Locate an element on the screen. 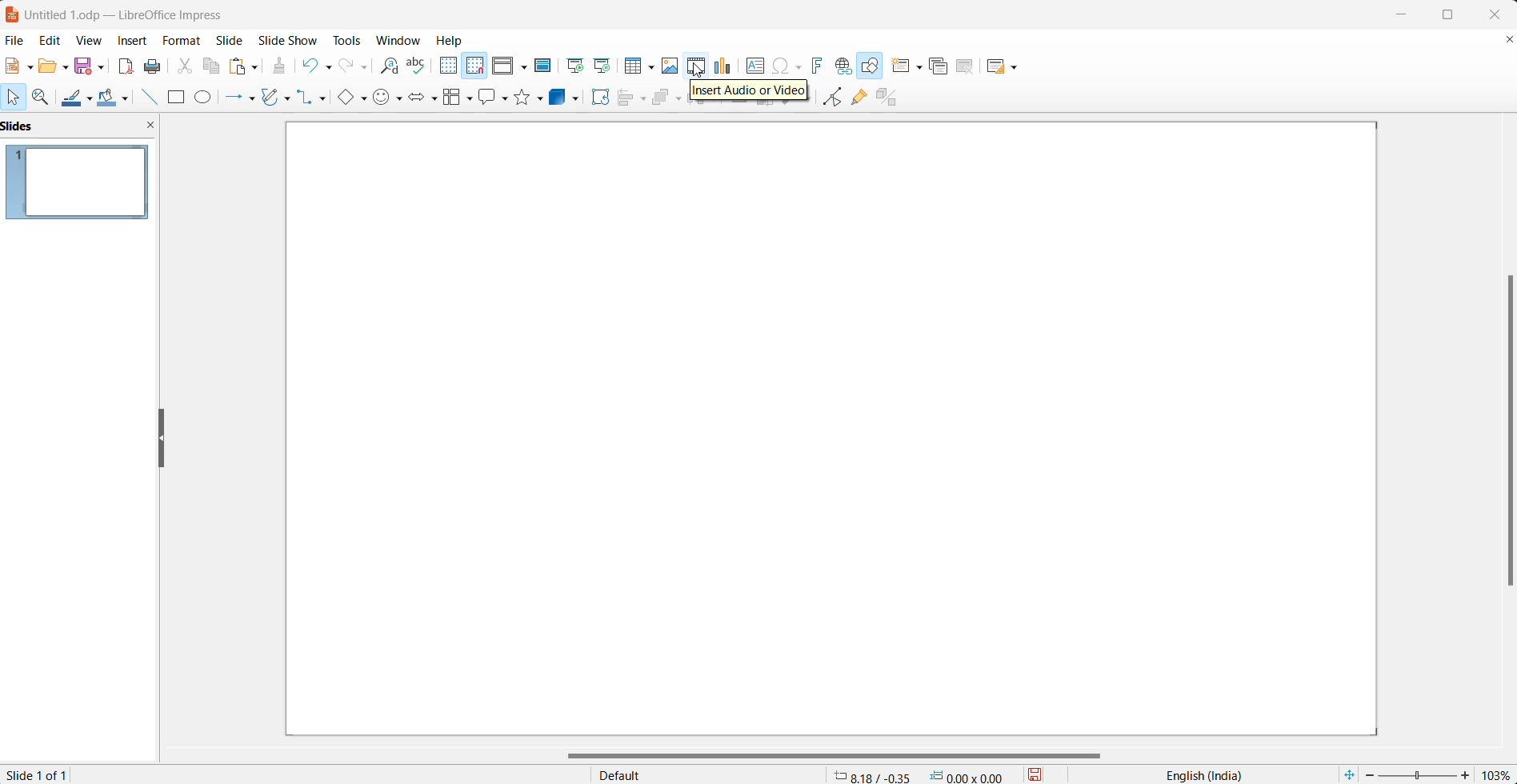 The height and width of the screenshot is (784, 1517). open file options dropdown button is located at coordinates (67, 70).